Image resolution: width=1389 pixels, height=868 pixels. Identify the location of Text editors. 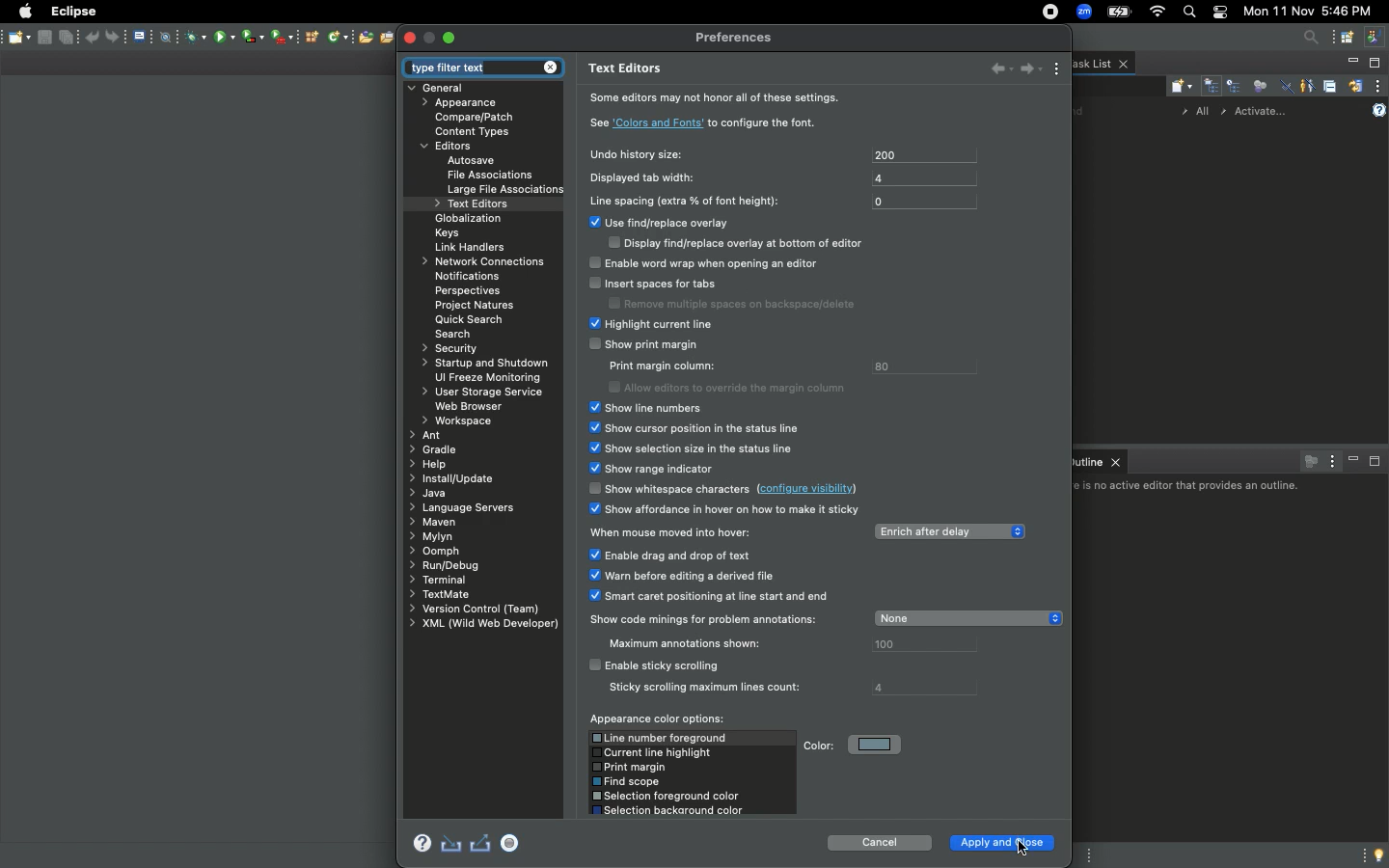
(474, 205).